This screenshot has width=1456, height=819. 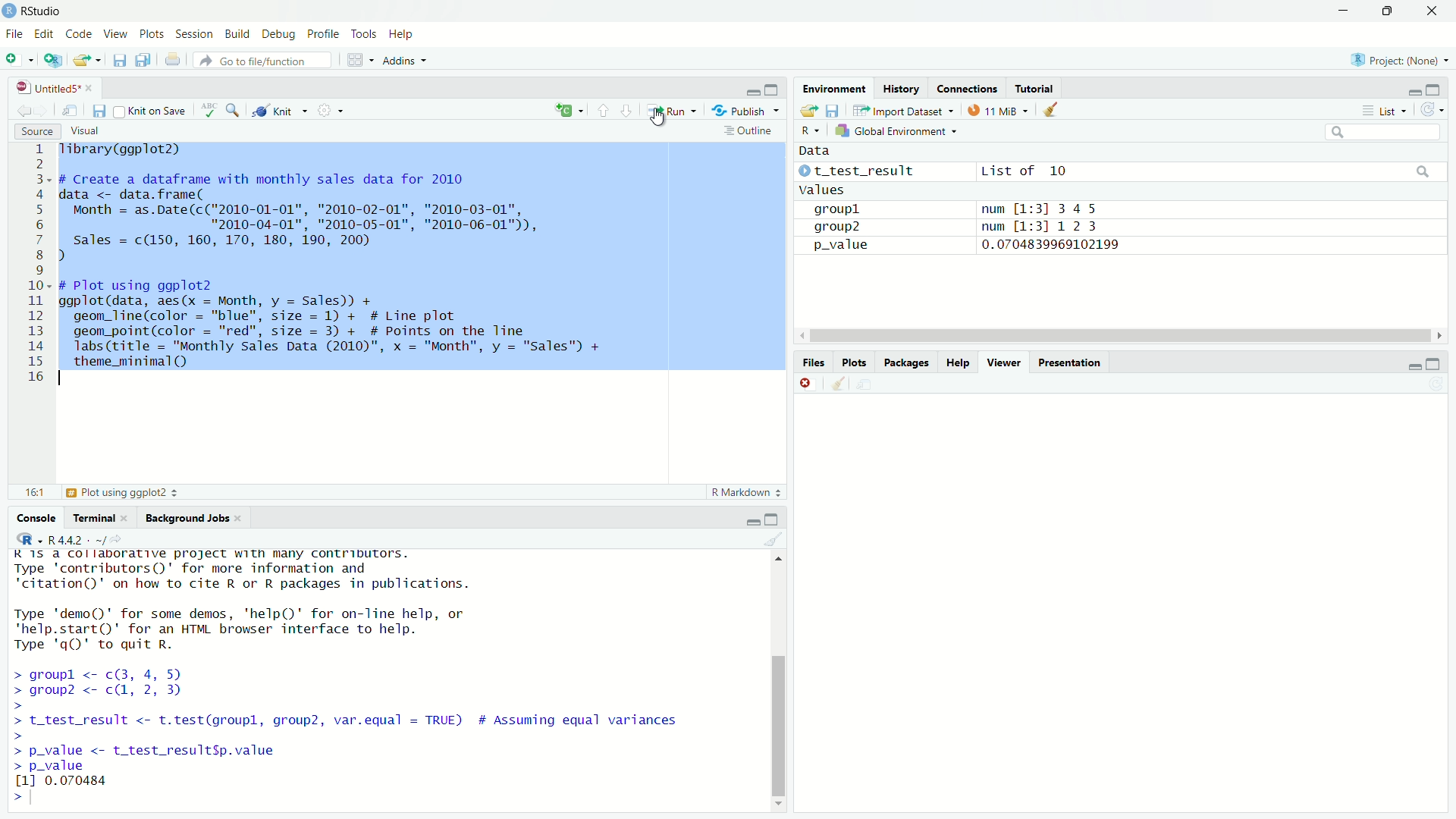 I want to click on minimise, so click(x=1413, y=89).